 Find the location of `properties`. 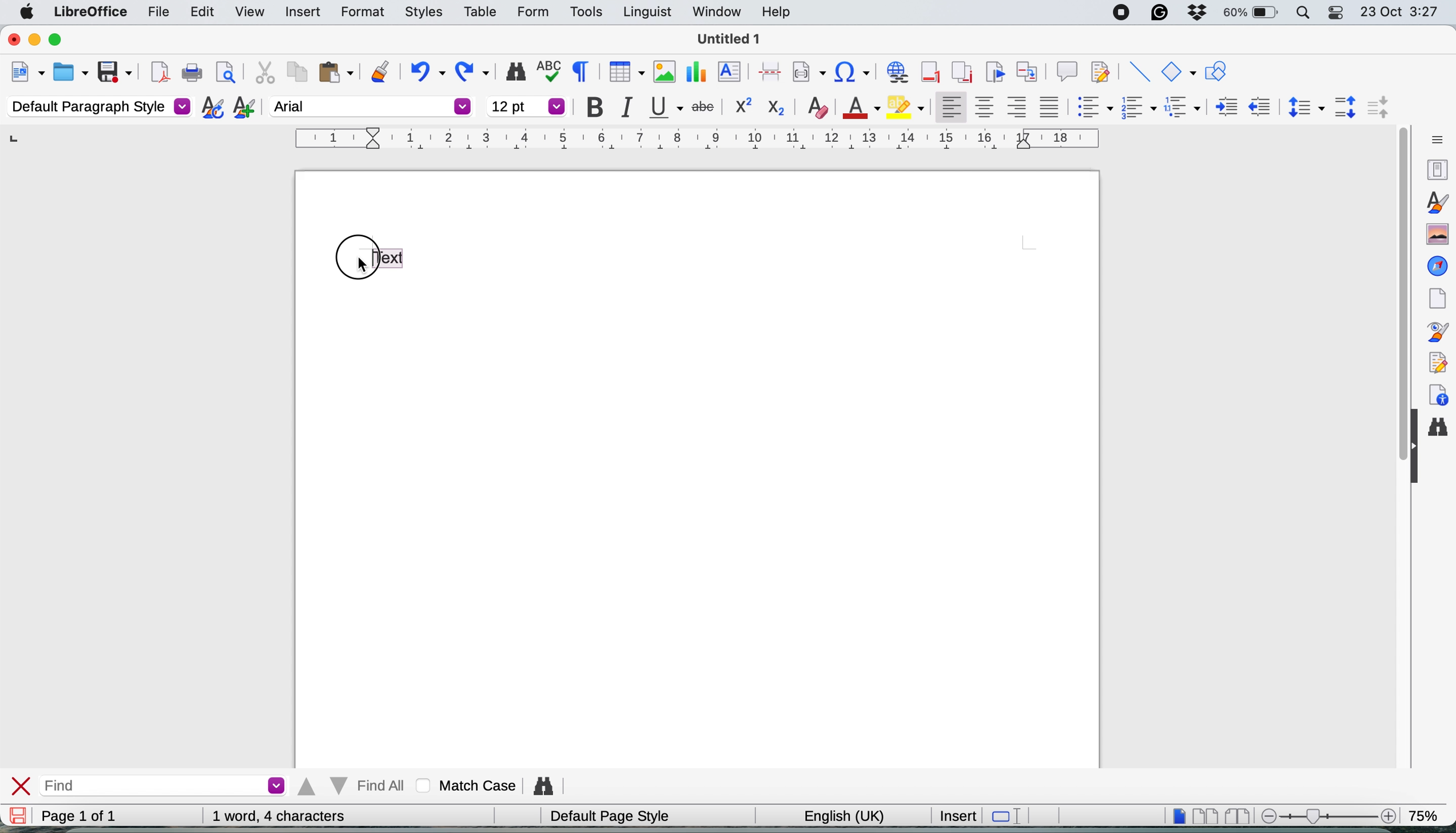

properties is located at coordinates (1437, 170).